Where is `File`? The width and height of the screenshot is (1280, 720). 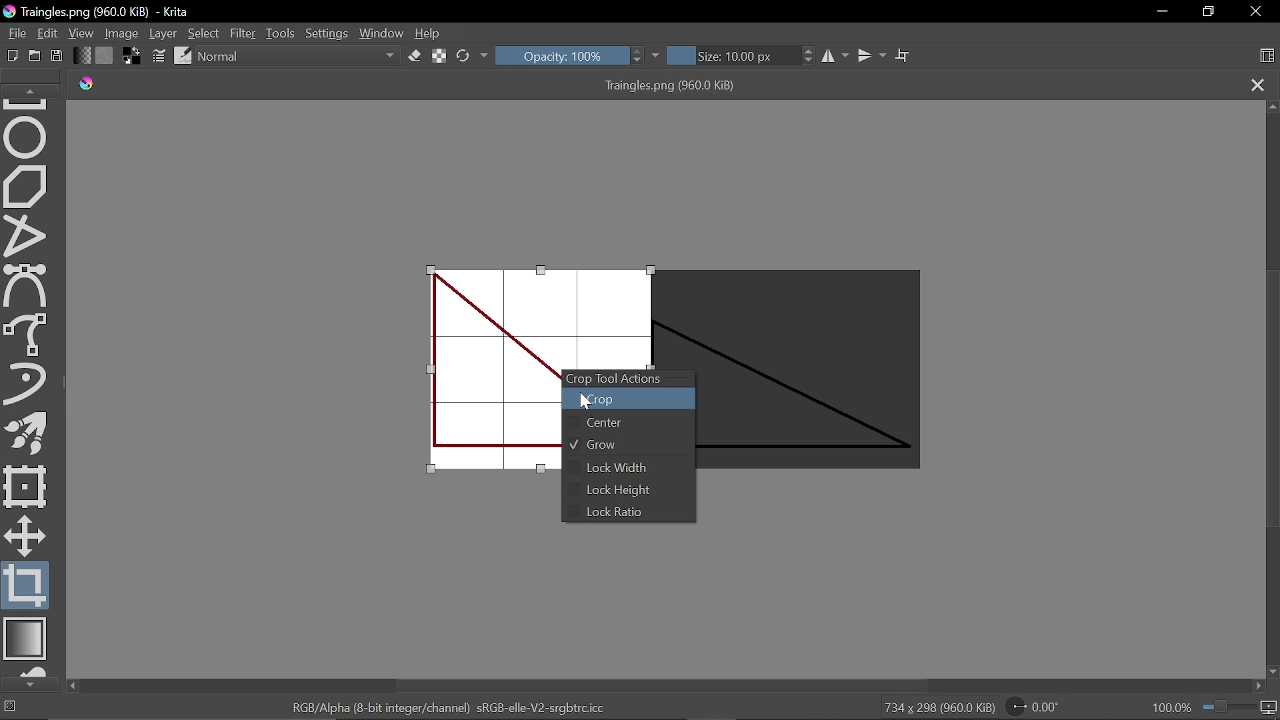 File is located at coordinates (14, 32).